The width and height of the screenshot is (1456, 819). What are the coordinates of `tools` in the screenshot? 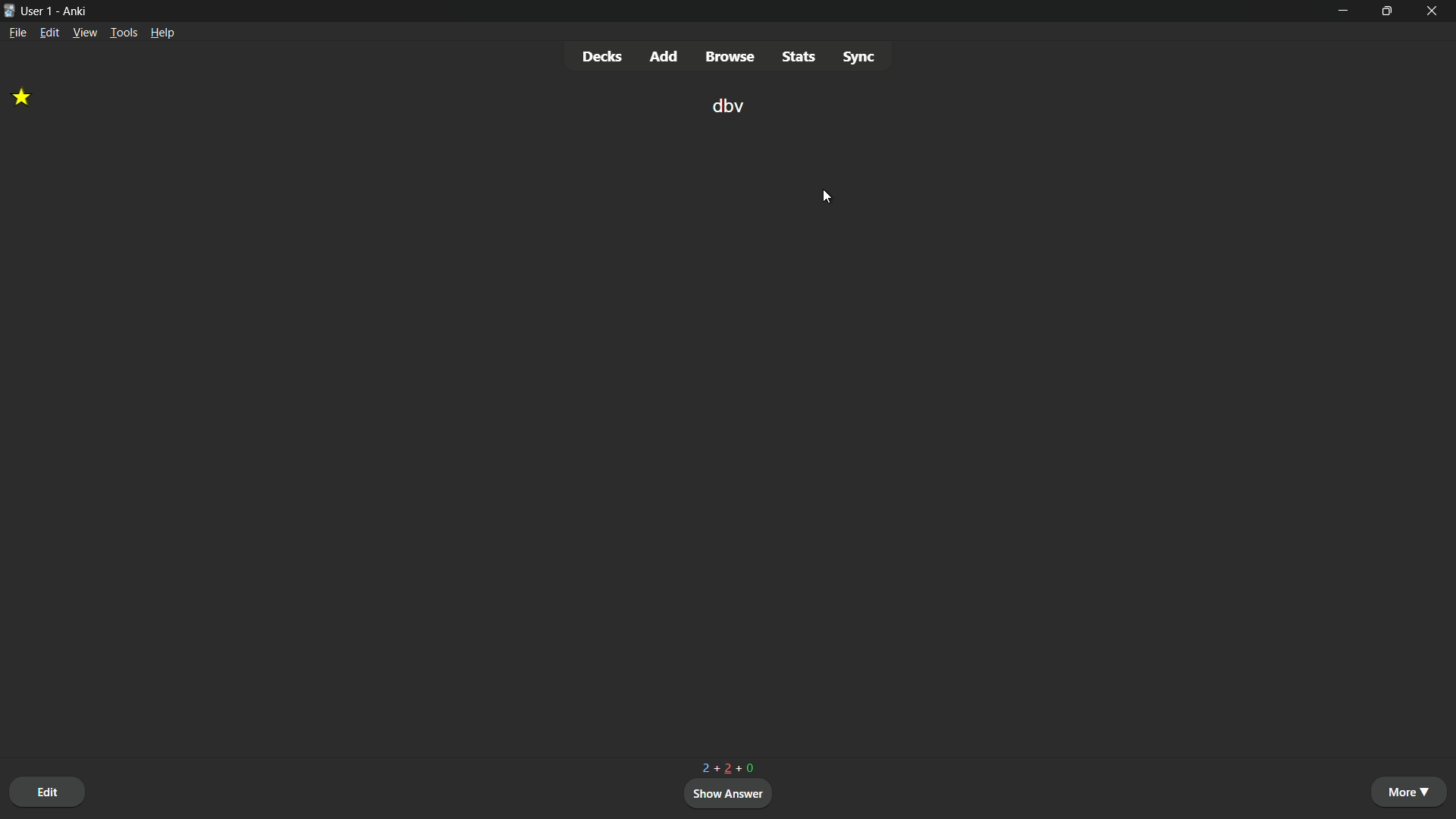 It's located at (124, 33).